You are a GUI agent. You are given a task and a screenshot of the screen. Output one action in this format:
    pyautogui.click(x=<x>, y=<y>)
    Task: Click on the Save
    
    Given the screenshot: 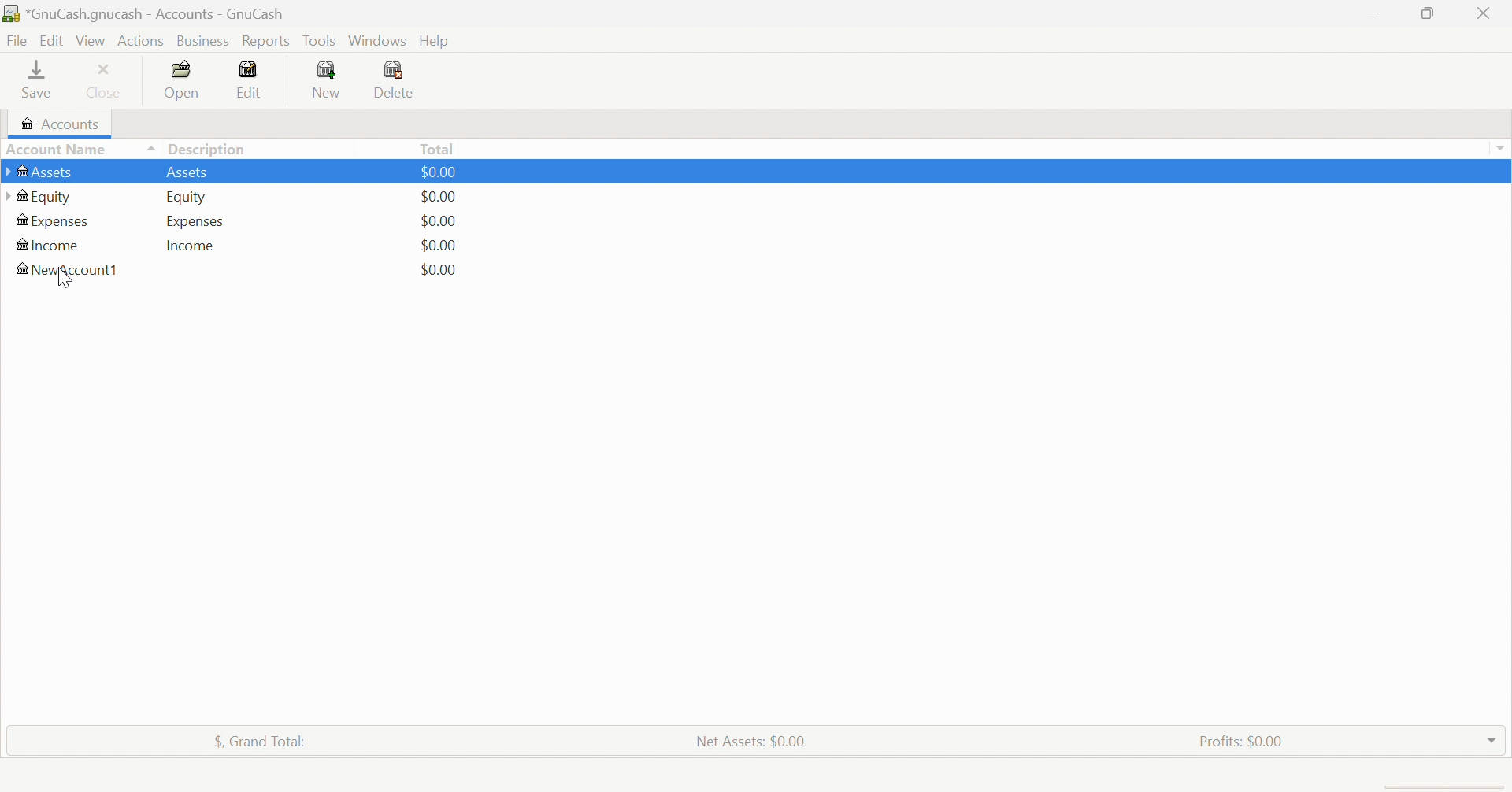 What is the action you would take?
    pyautogui.click(x=39, y=81)
    